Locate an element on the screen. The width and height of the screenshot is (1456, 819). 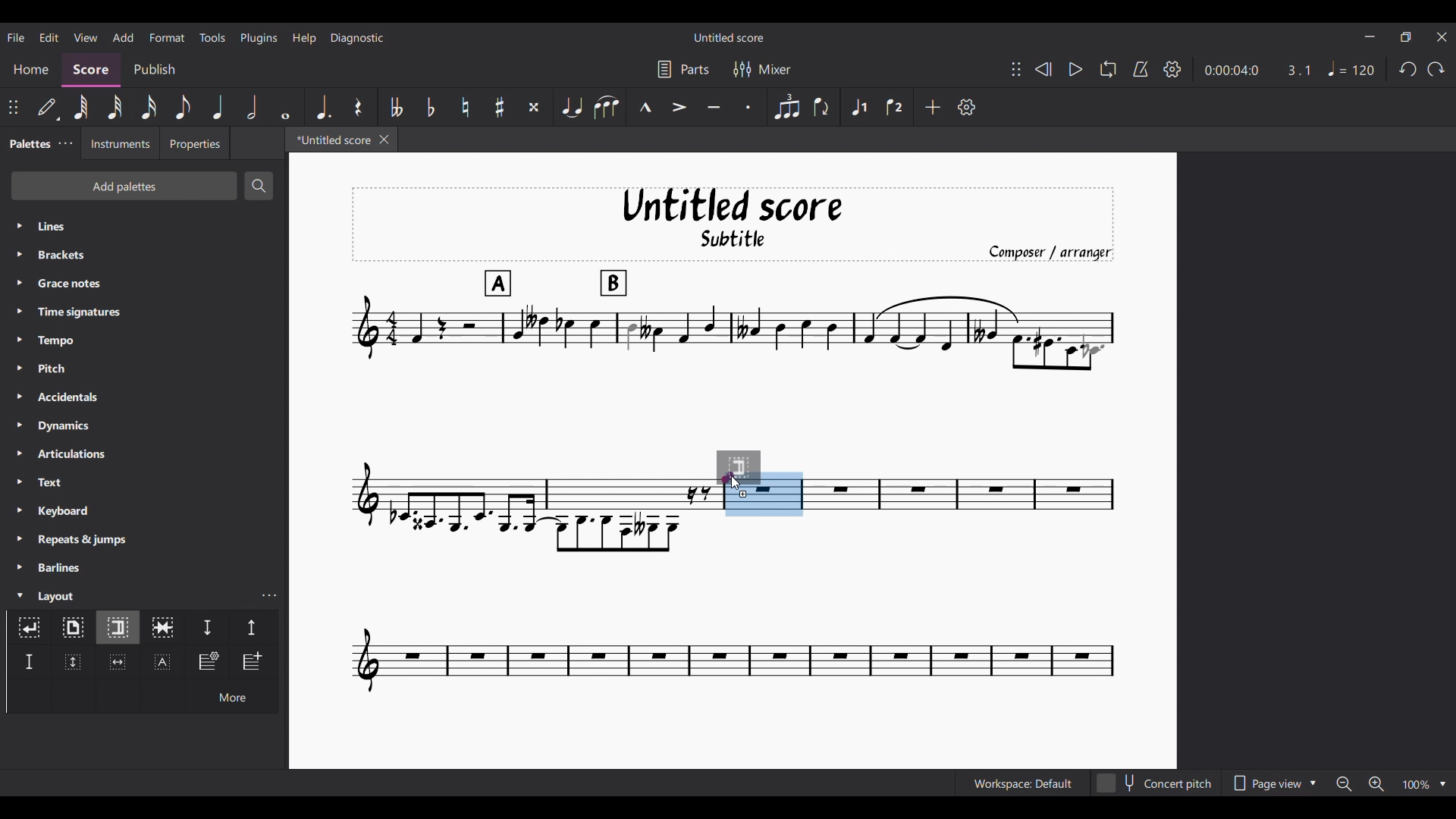
Zoom options is located at coordinates (1425, 783).